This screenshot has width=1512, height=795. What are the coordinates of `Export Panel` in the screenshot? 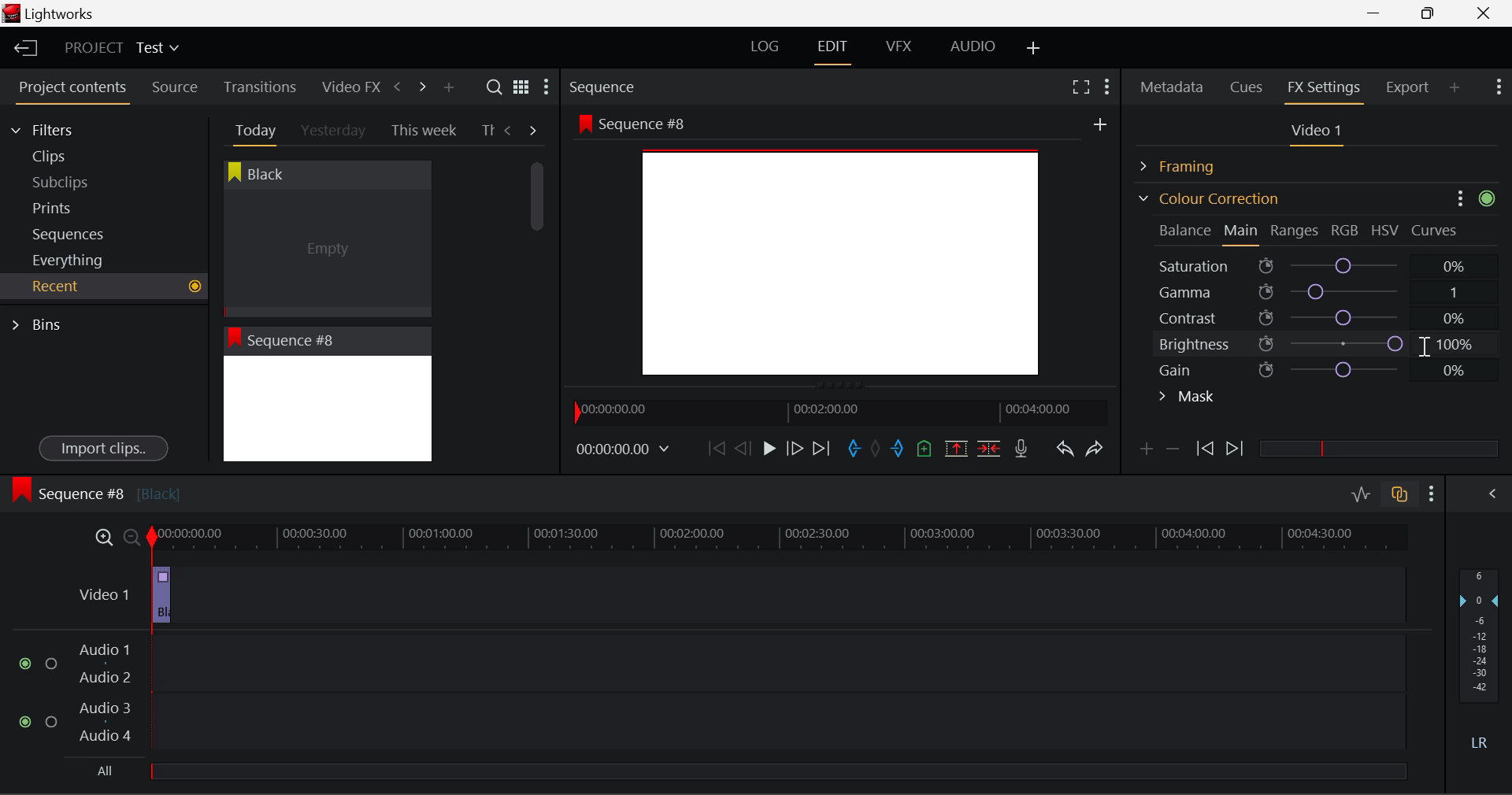 It's located at (1410, 87).